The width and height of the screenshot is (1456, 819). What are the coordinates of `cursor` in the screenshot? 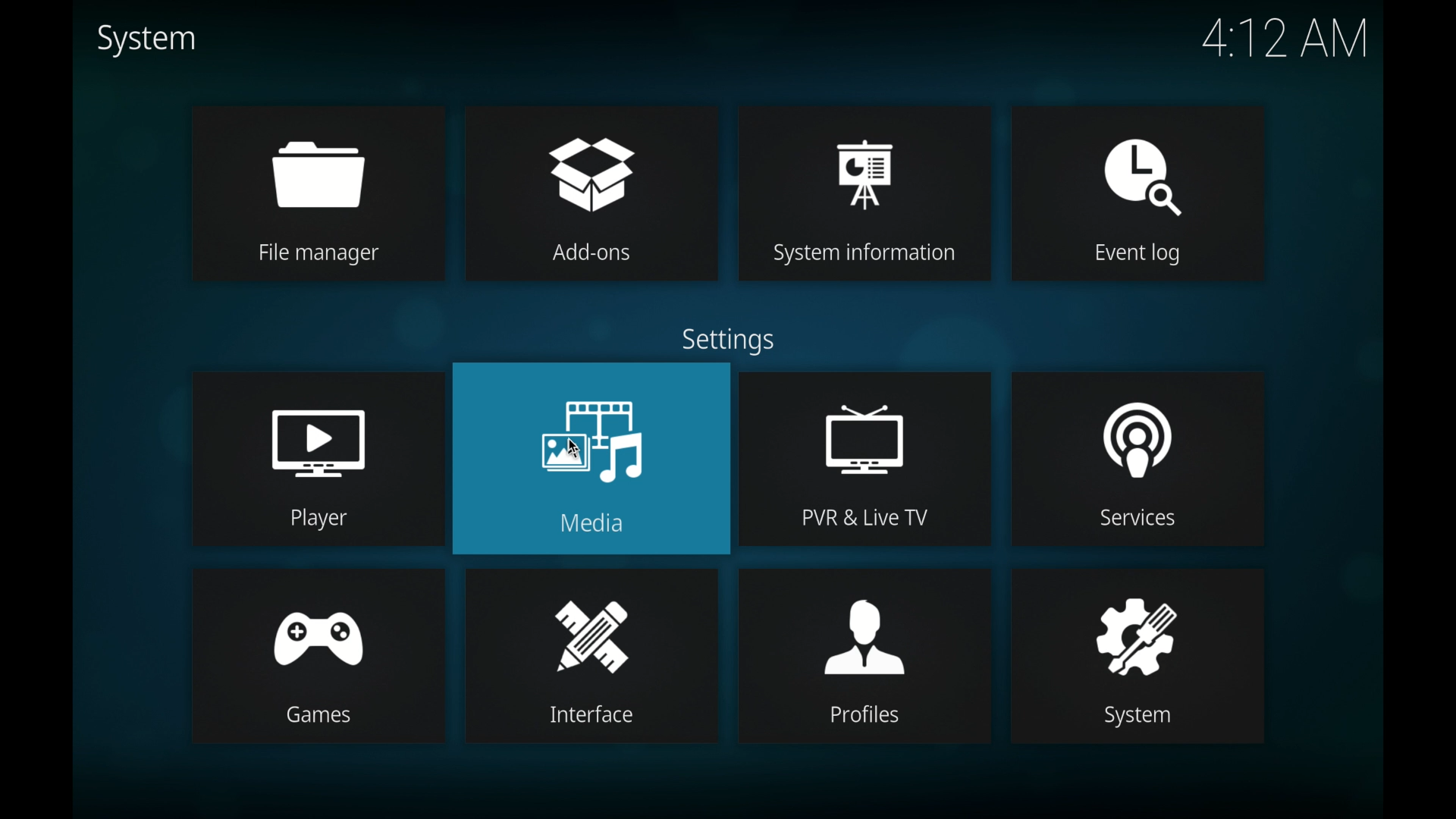 It's located at (585, 446).